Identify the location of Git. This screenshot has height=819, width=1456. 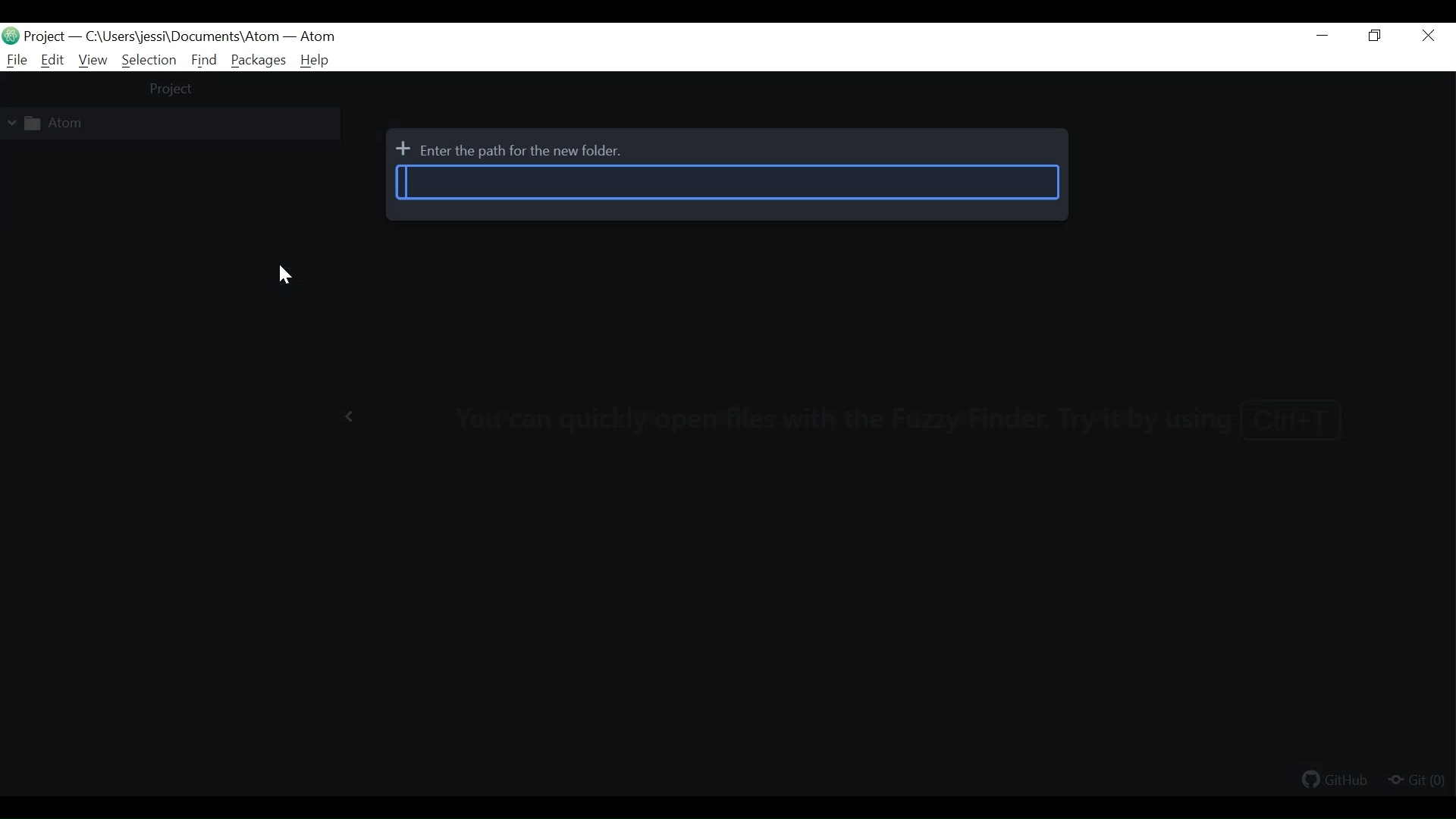
(1416, 781).